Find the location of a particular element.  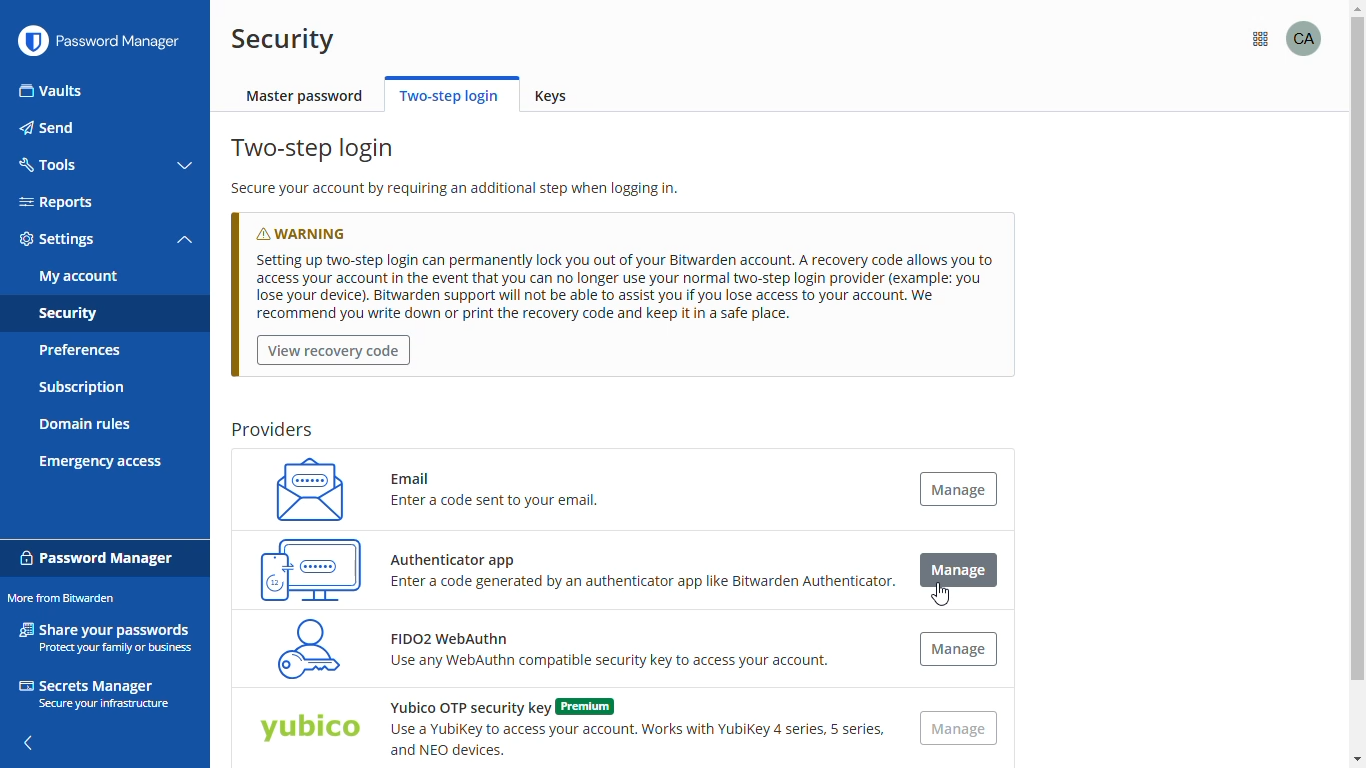

share your passwords is located at coordinates (108, 636).